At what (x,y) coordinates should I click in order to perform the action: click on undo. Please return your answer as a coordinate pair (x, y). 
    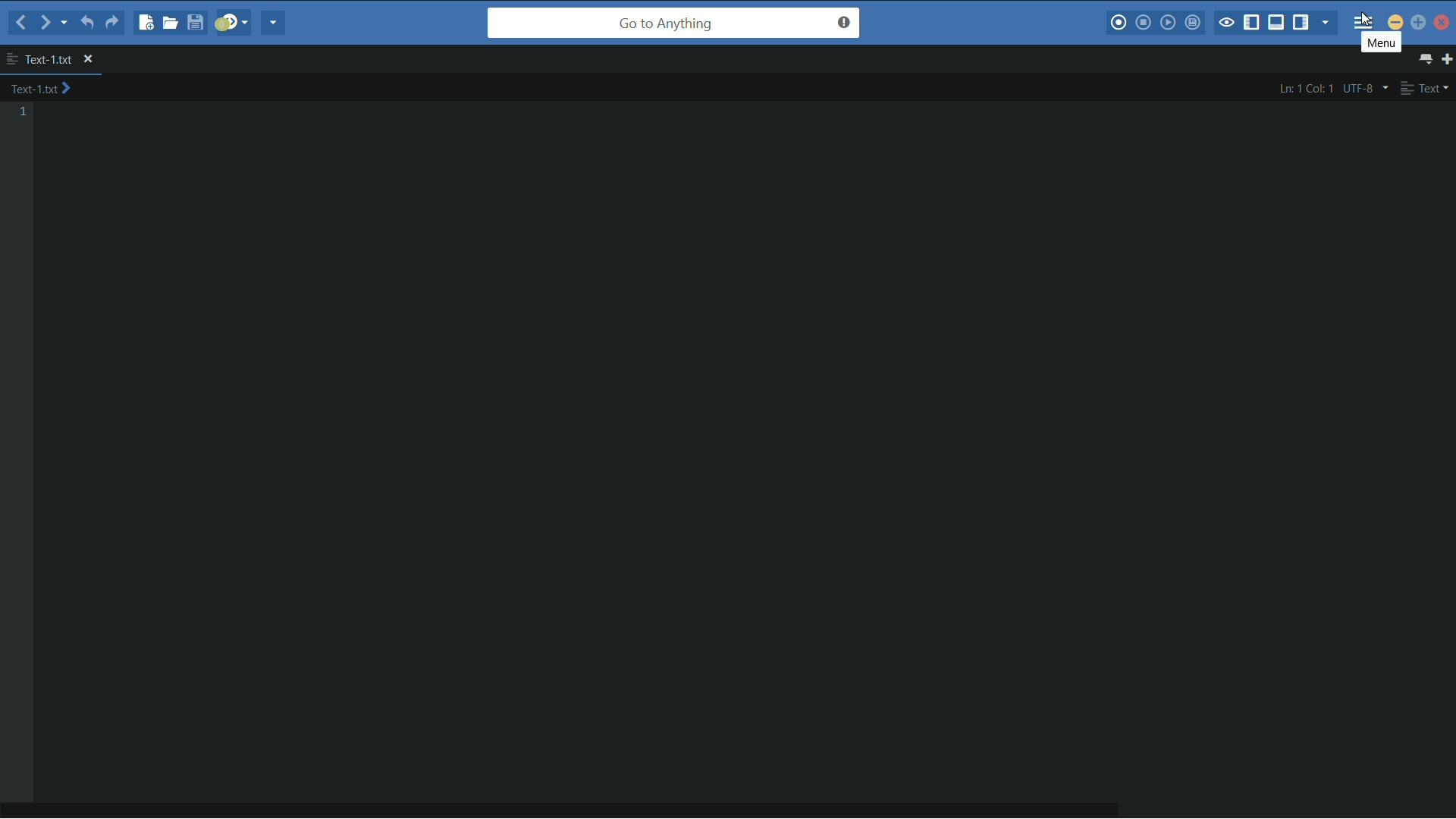
    Looking at the image, I should click on (85, 24).